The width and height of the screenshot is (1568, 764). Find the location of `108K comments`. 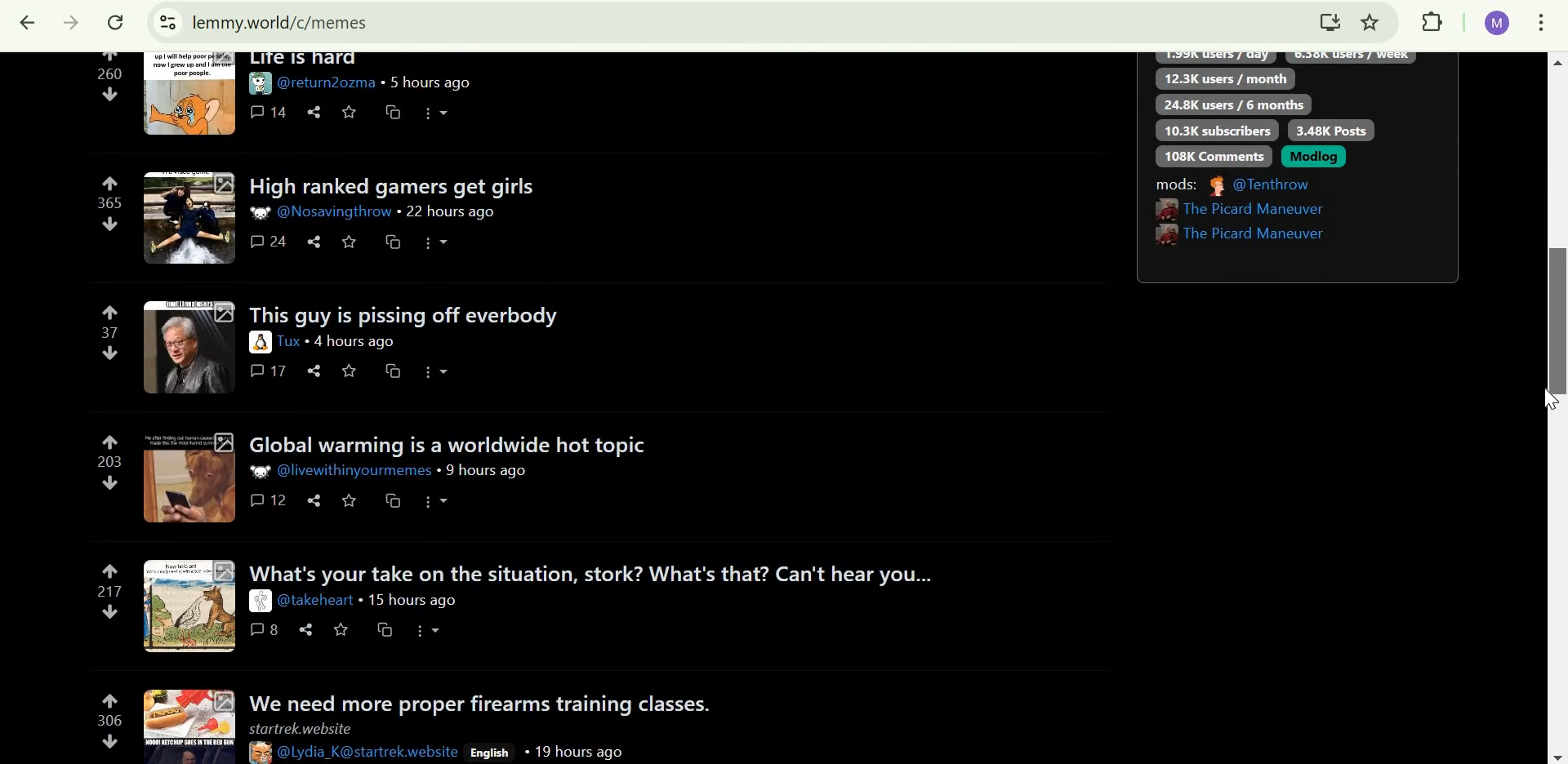

108K comments is located at coordinates (1217, 156).